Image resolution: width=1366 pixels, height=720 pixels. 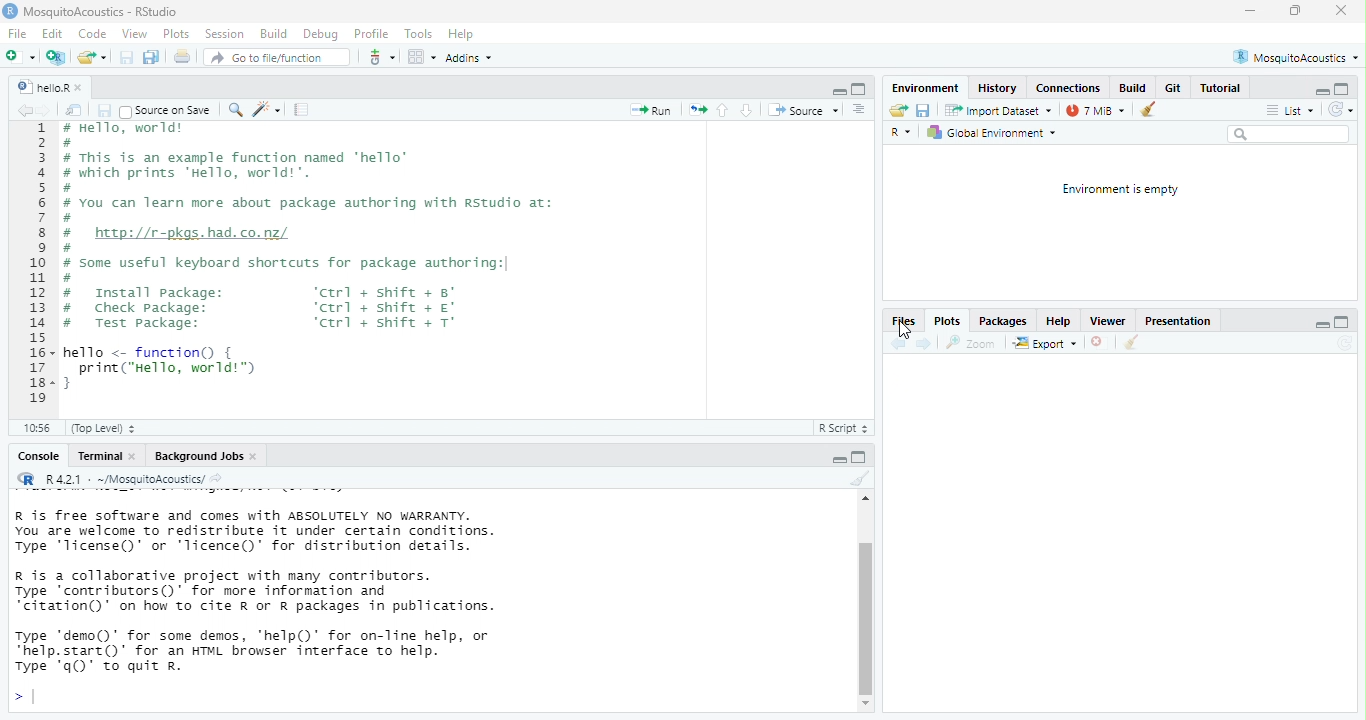 What do you see at coordinates (1290, 136) in the screenshot?
I see `search bar` at bounding box center [1290, 136].